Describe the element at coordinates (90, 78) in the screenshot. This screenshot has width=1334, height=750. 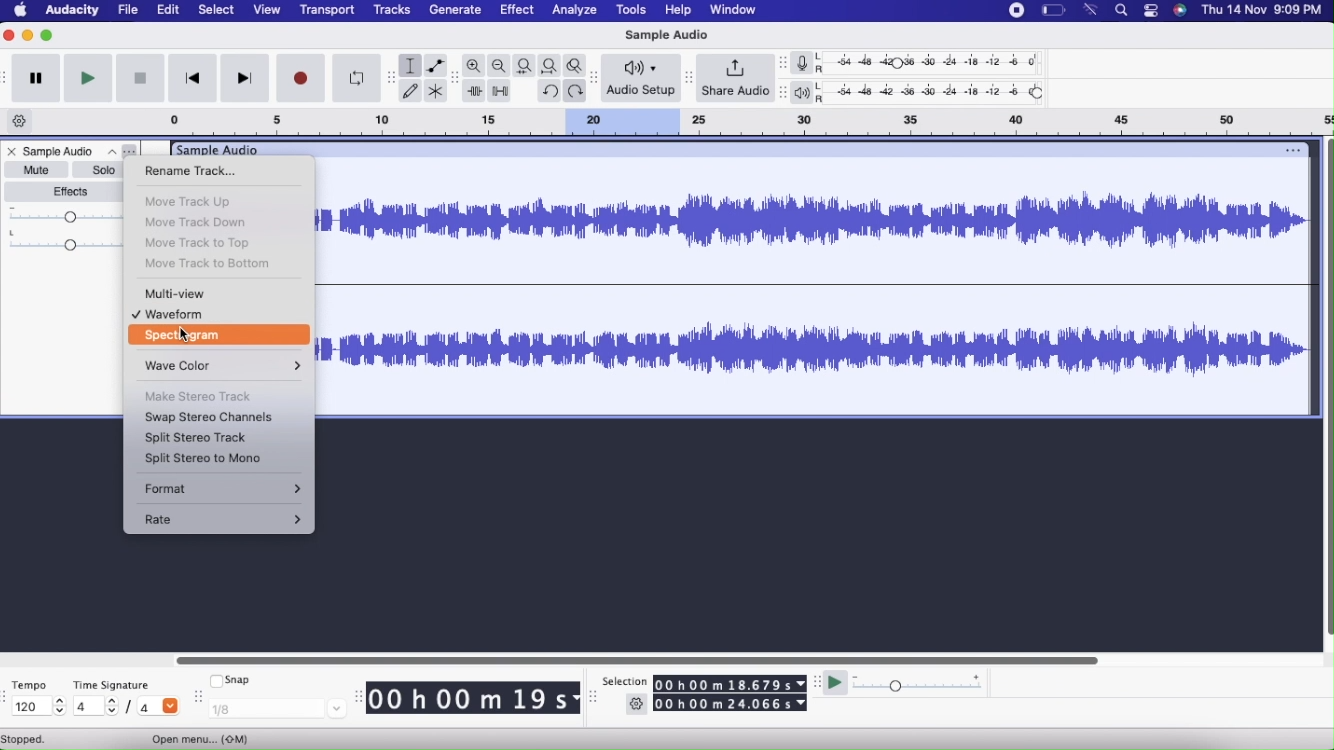
I see `Play` at that location.